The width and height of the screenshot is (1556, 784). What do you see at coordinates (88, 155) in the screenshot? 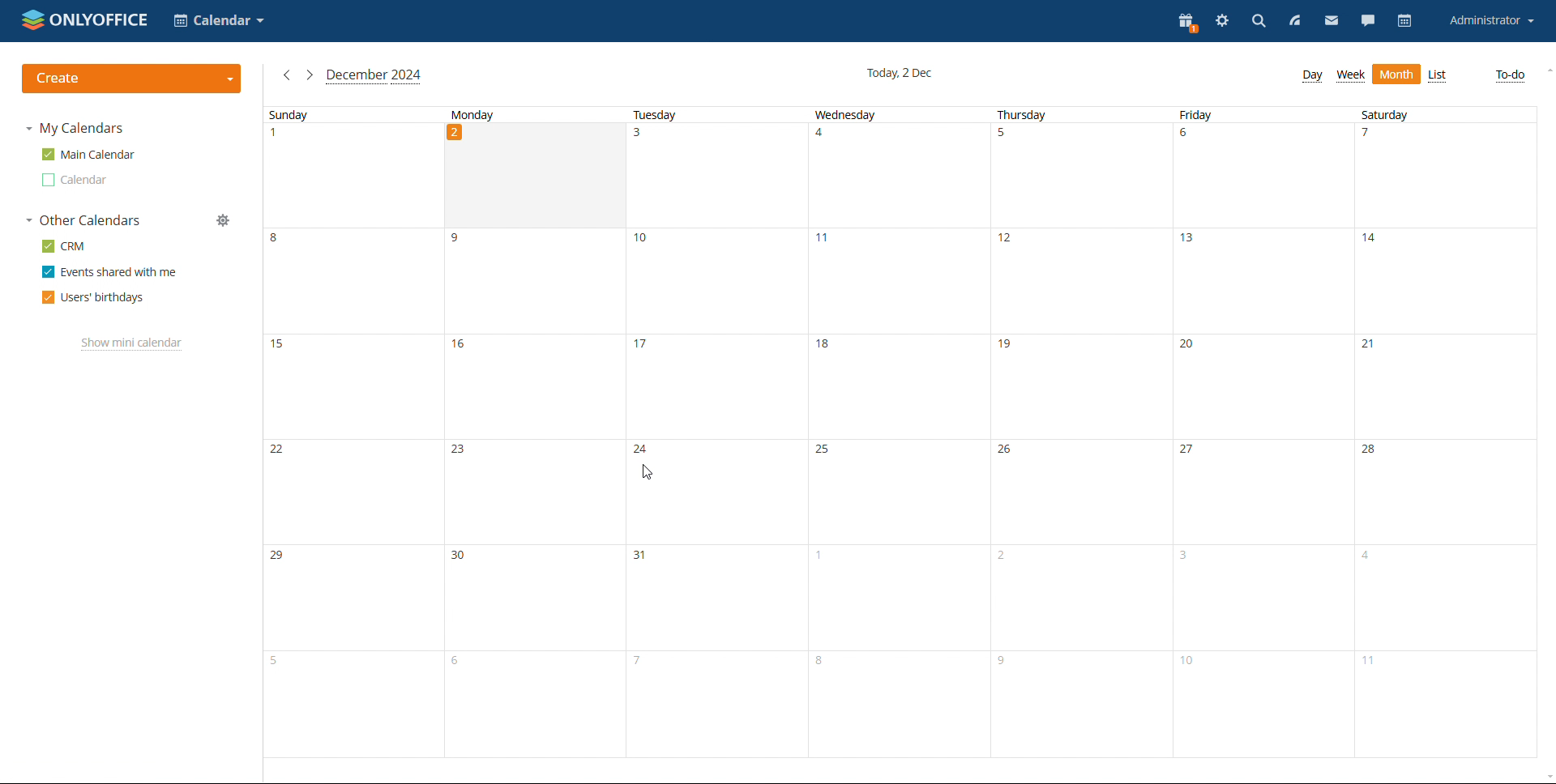
I see `main calendar` at bounding box center [88, 155].